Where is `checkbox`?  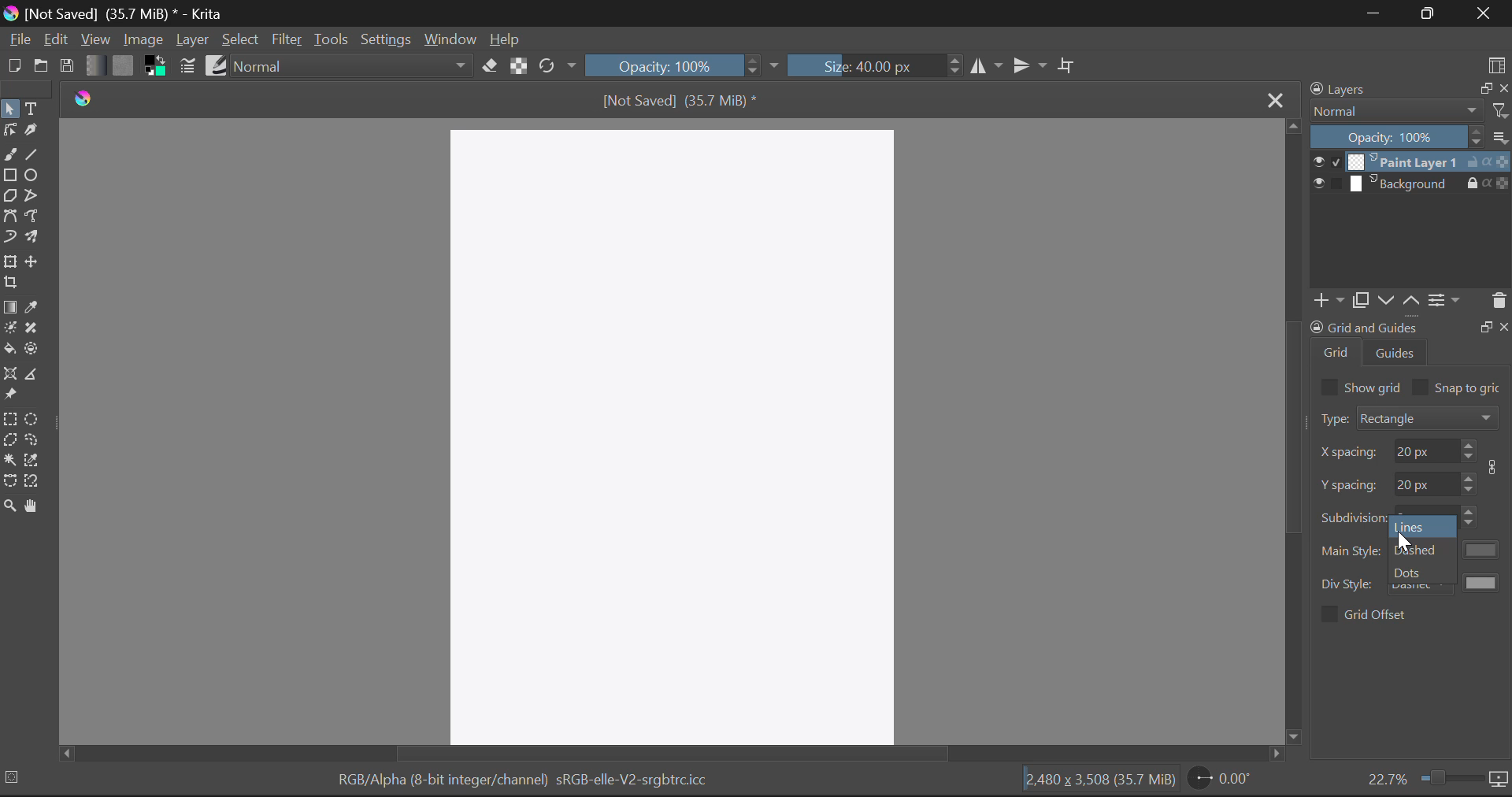
checkbox is located at coordinates (1328, 614).